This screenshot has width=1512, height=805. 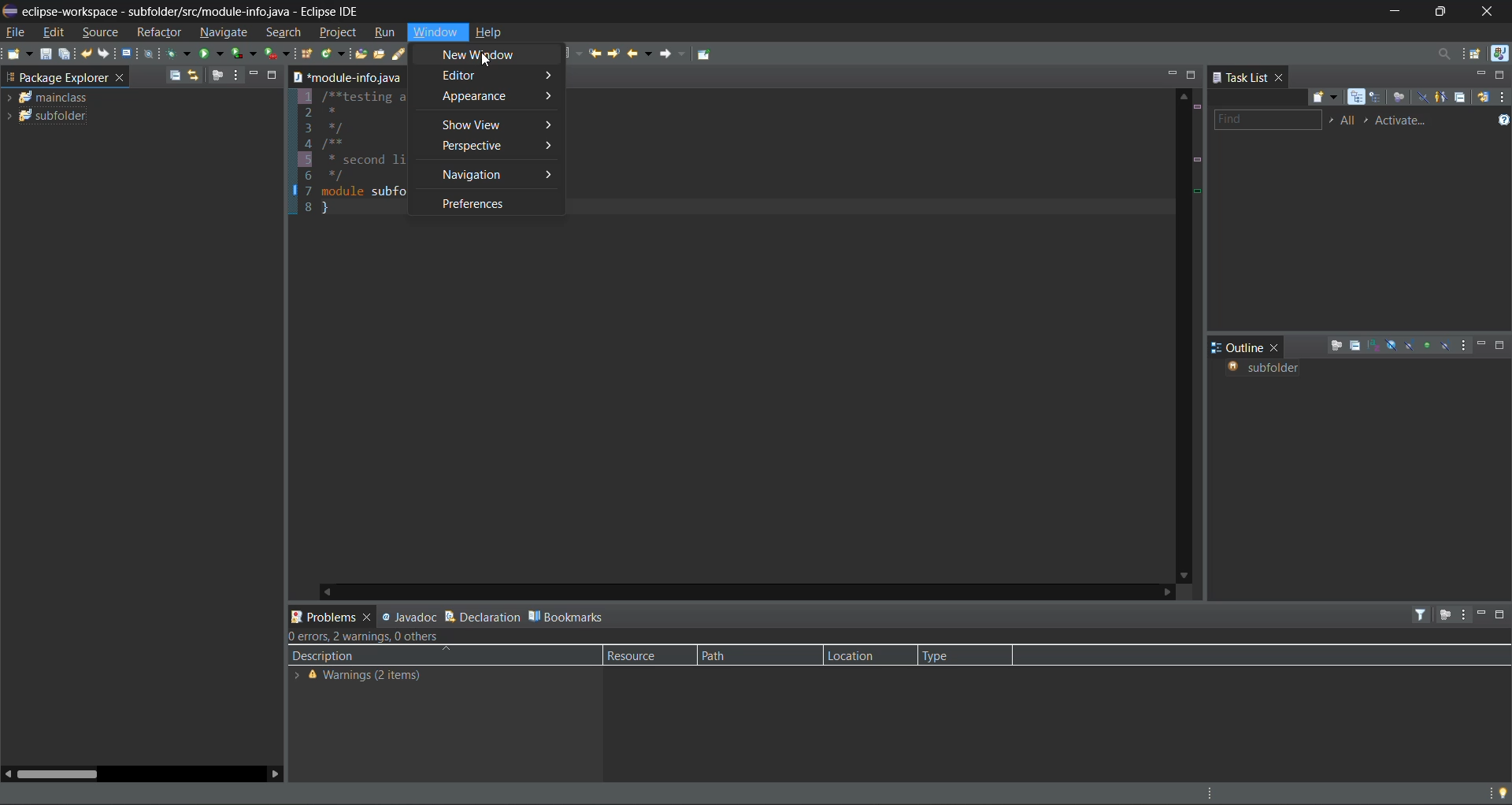 What do you see at coordinates (1503, 98) in the screenshot?
I see `view menu` at bounding box center [1503, 98].